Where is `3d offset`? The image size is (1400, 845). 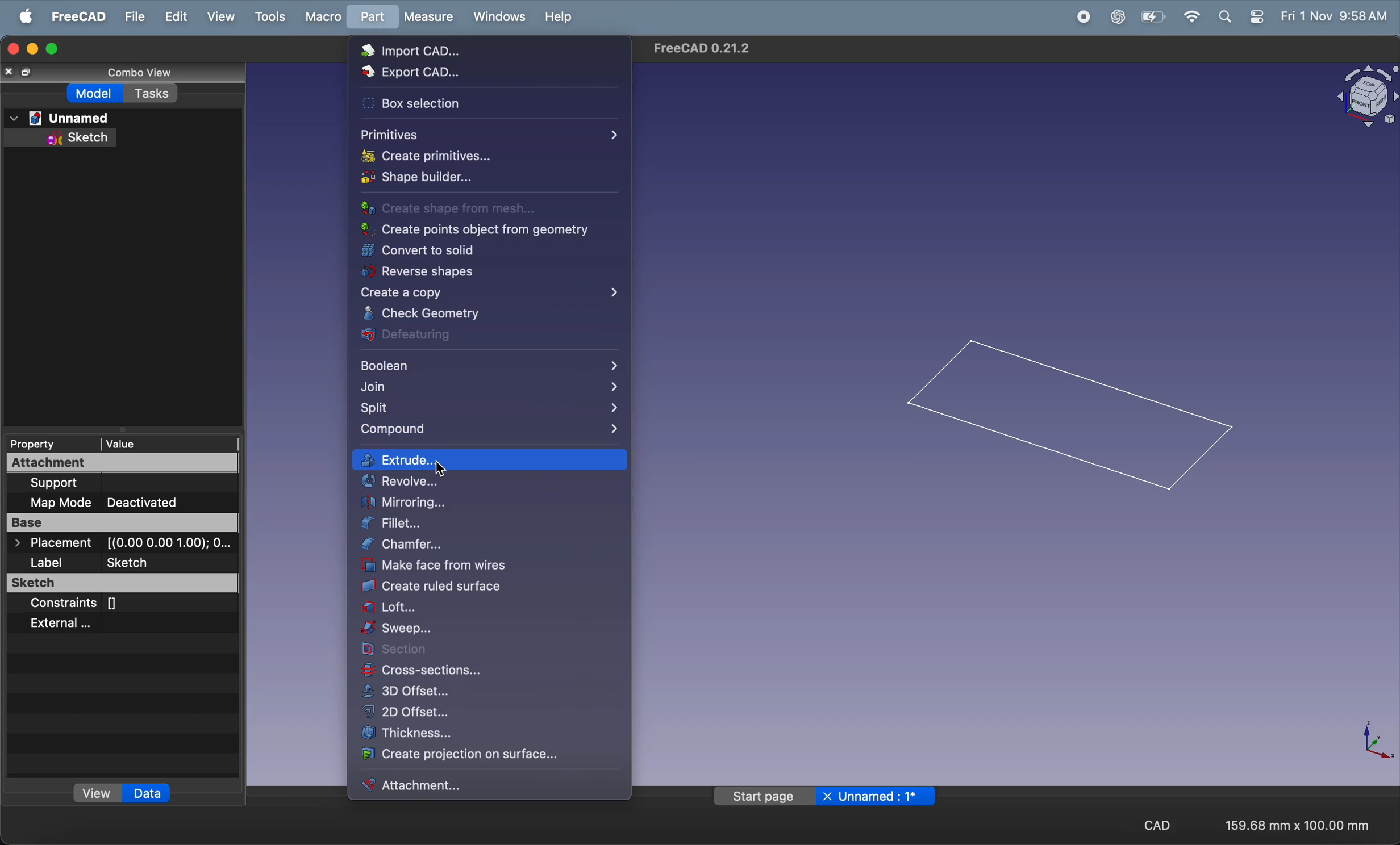 3d offset is located at coordinates (493, 691).